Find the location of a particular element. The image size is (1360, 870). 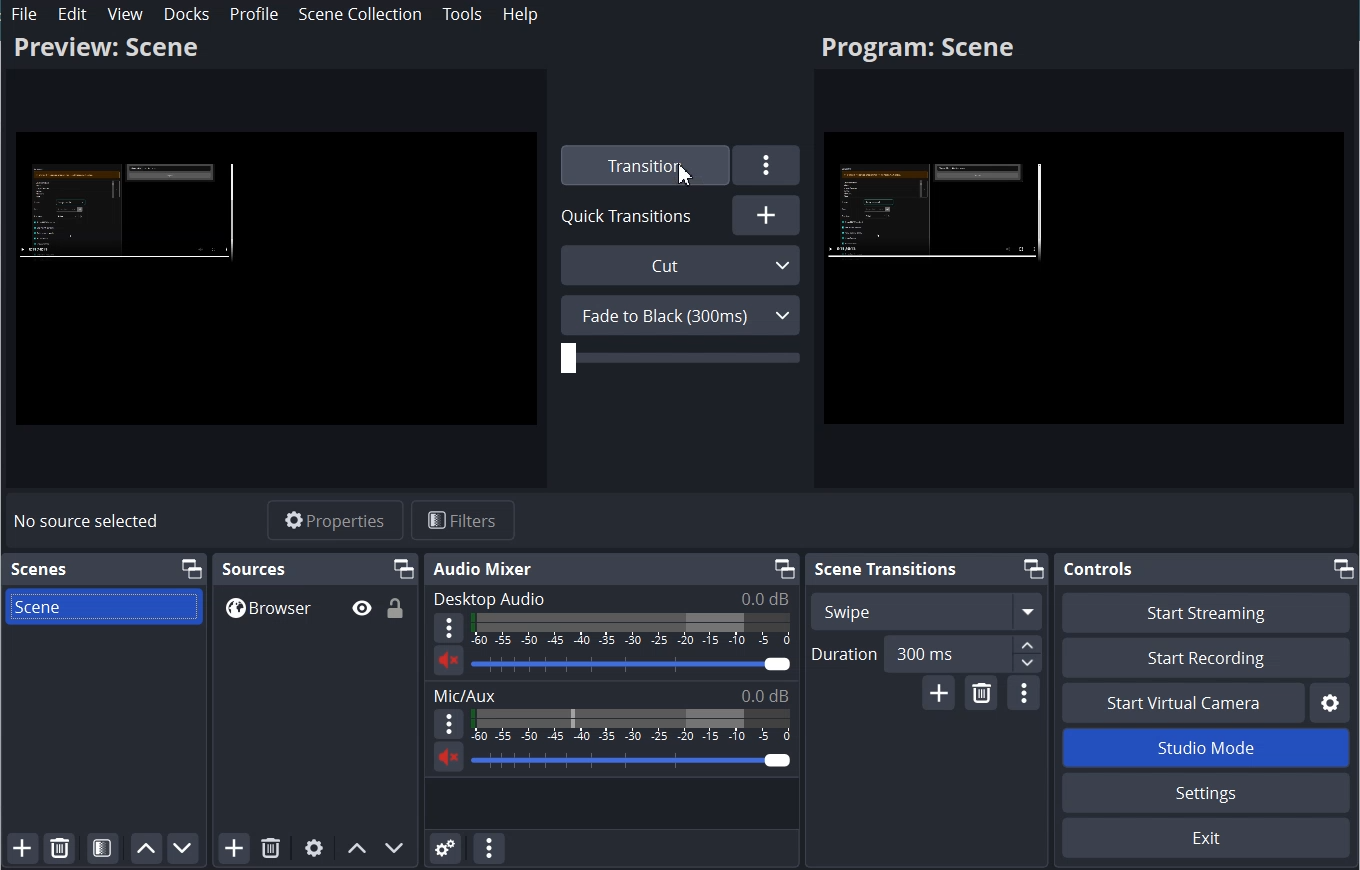

View is located at coordinates (126, 14).